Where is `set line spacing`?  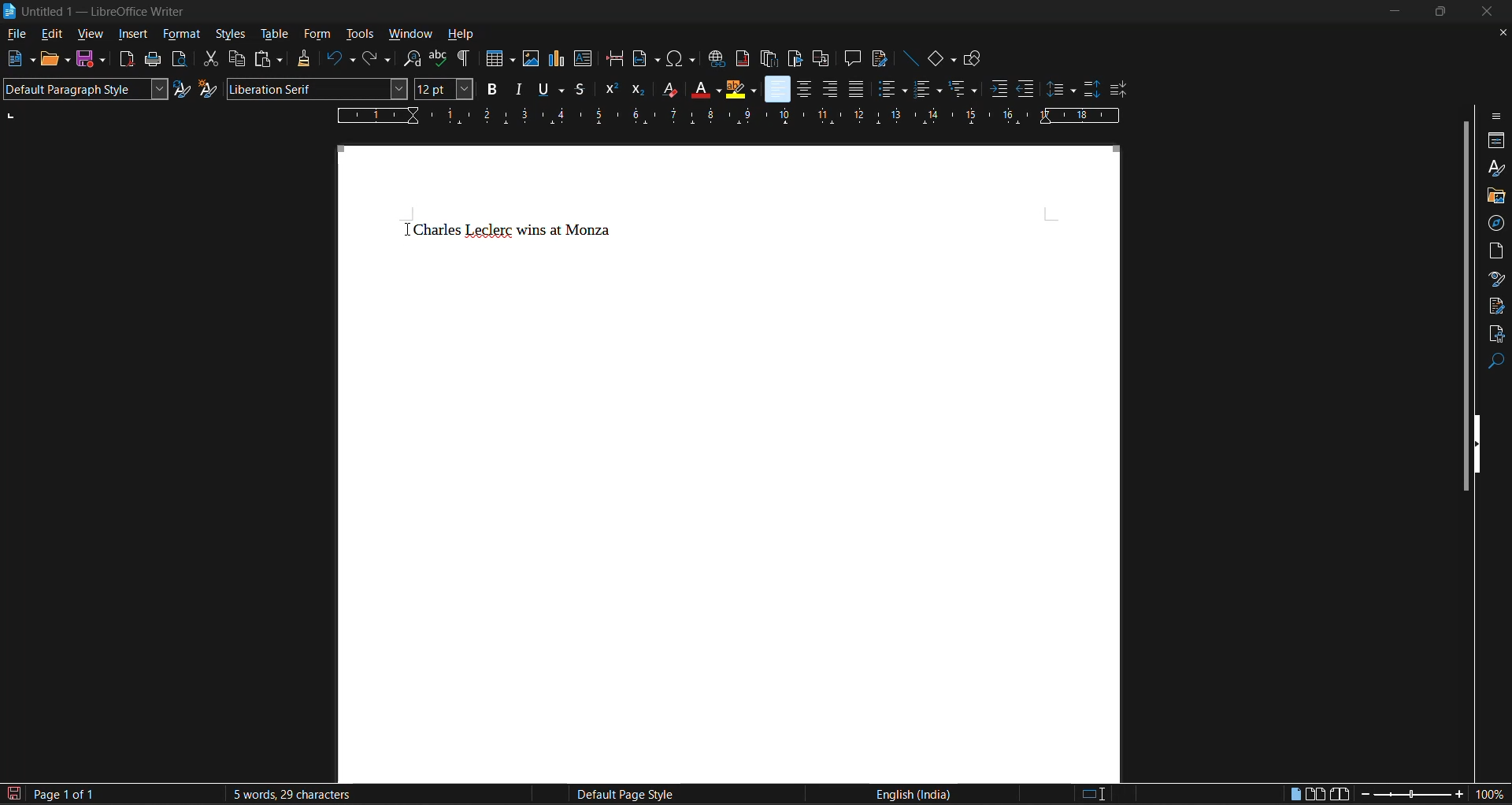 set line spacing is located at coordinates (1061, 91).